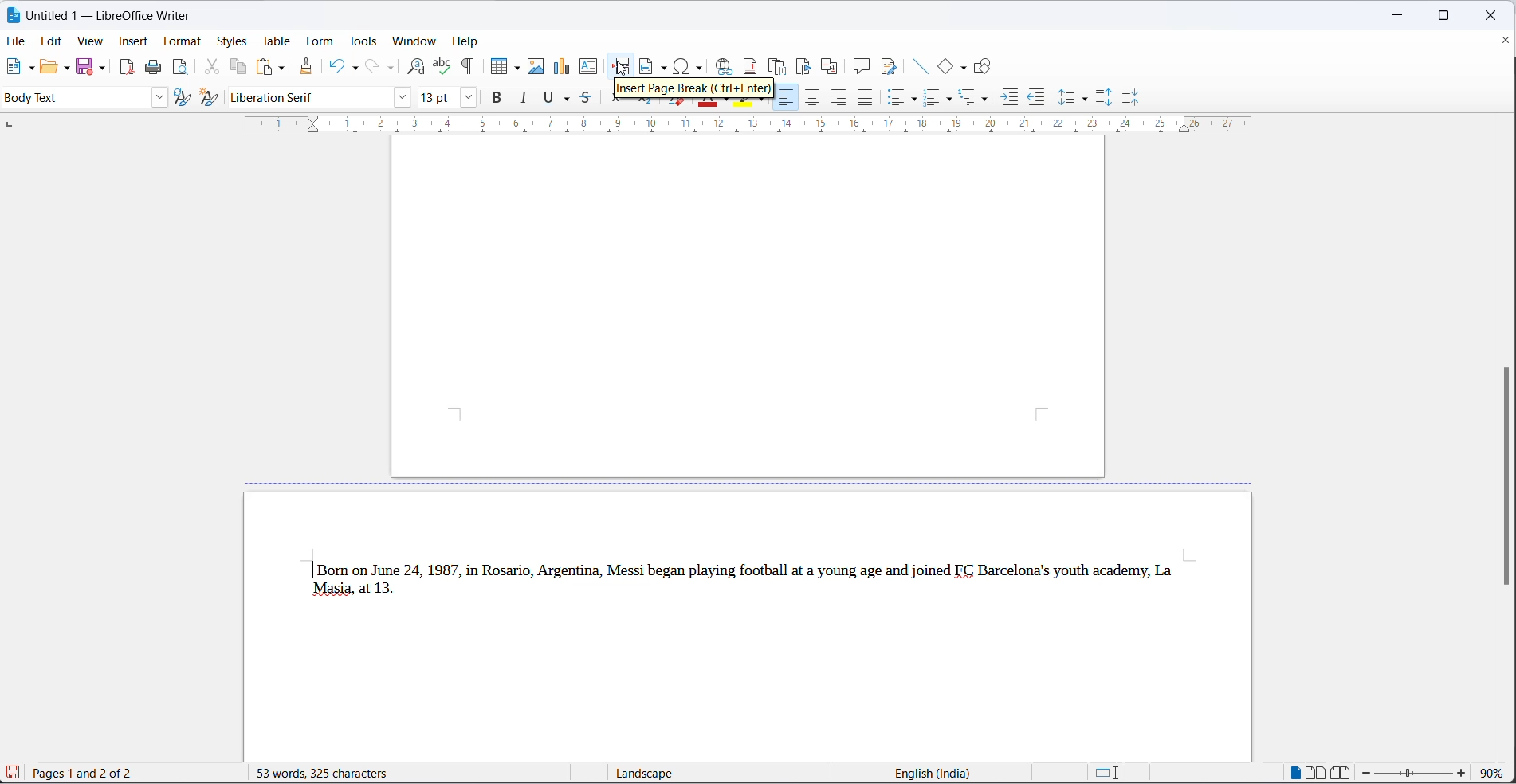 The width and height of the screenshot is (1516, 784). What do you see at coordinates (563, 67) in the screenshot?
I see `insert chart` at bounding box center [563, 67].